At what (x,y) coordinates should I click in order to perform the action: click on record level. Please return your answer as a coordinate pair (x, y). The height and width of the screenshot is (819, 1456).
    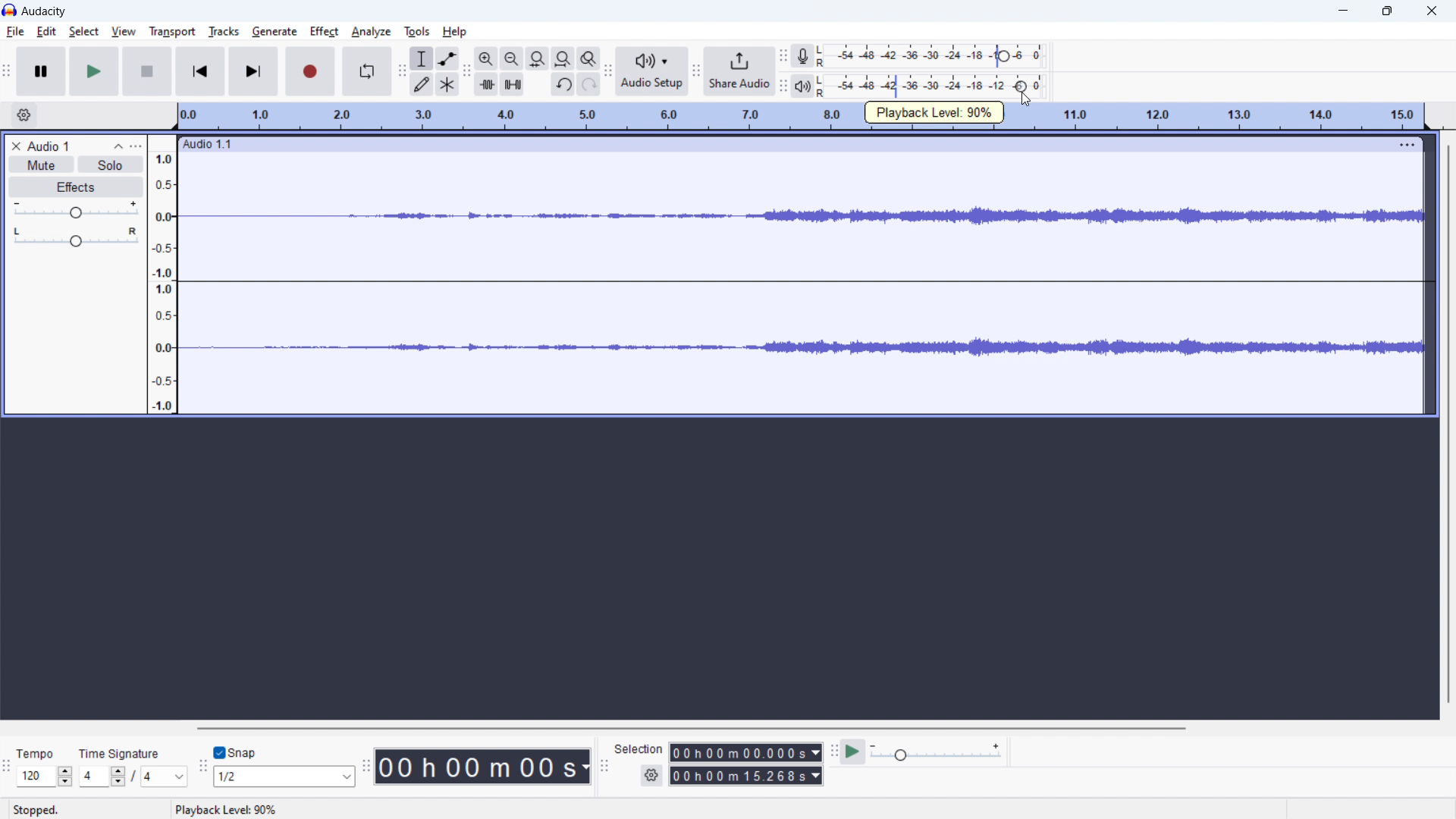
    Looking at the image, I should click on (930, 56).